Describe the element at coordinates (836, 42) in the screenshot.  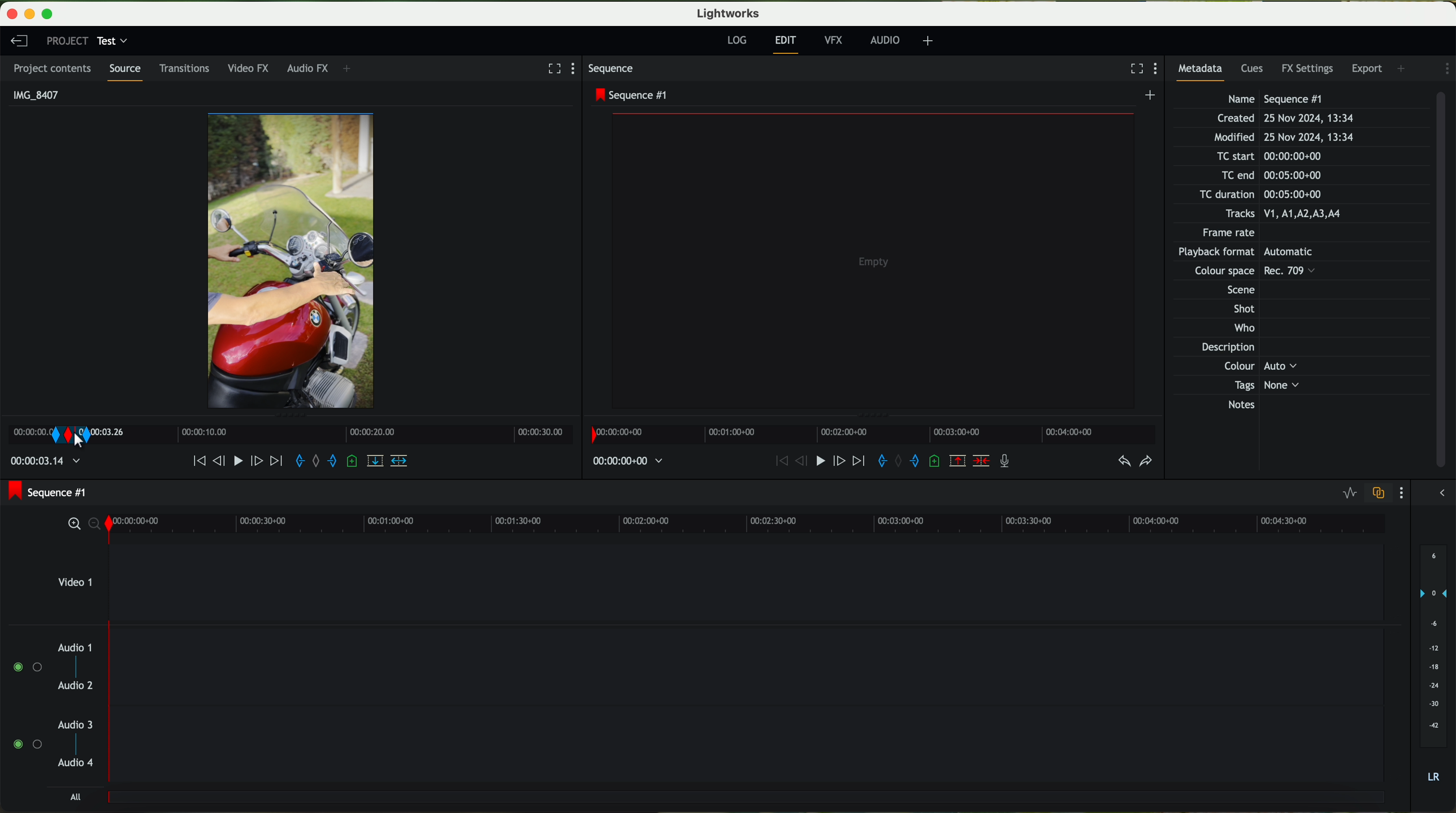
I see `VFX` at that location.